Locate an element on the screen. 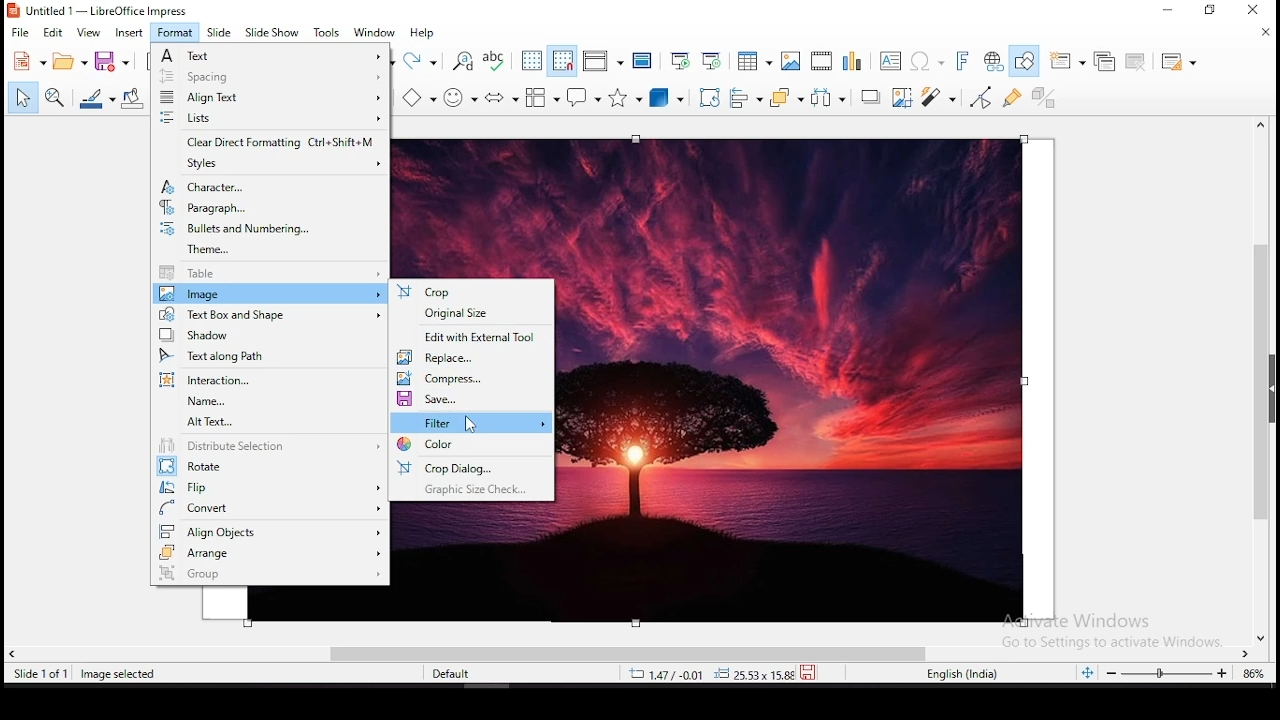  icon and filename - LibreOffice Impress is located at coordinates (100, 11).